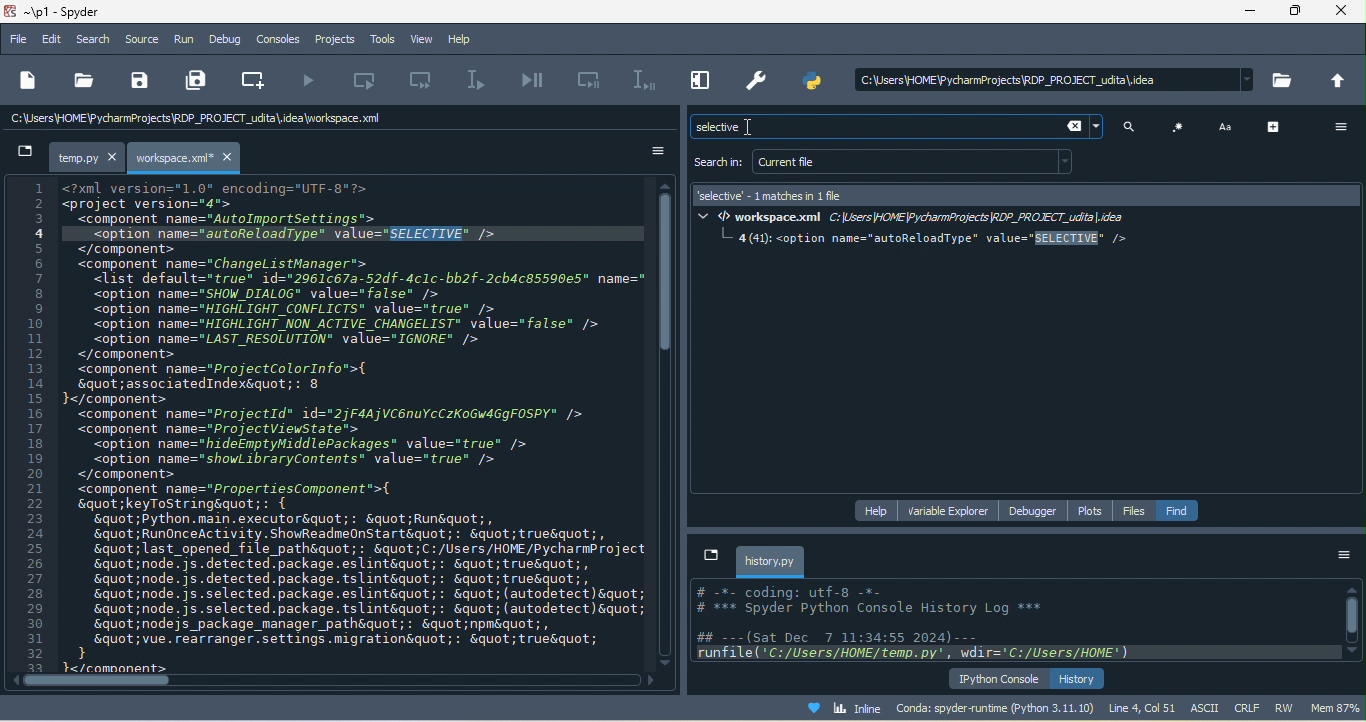 Image resolution: width=1366 pixels, height=722 pixels. I want to click on debug cell, so click(590, 80).